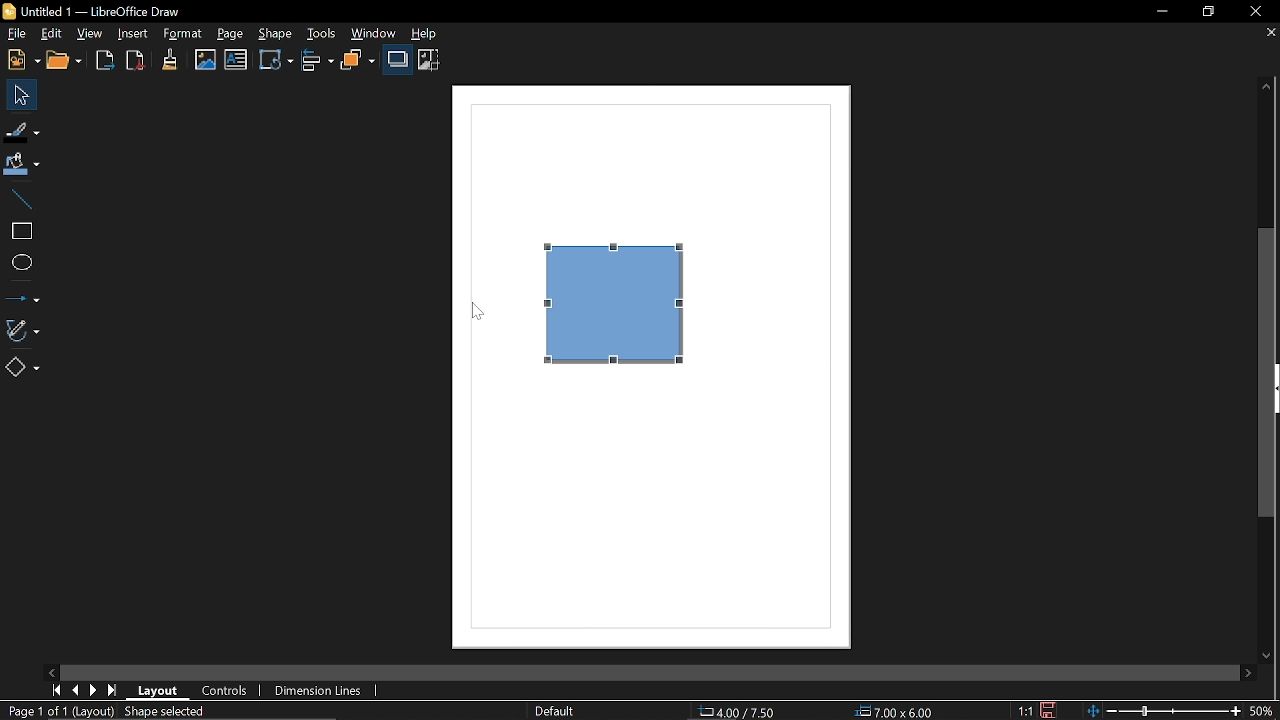 The image size is (1280, 720). I want to click on Crop, so click(429, 60).